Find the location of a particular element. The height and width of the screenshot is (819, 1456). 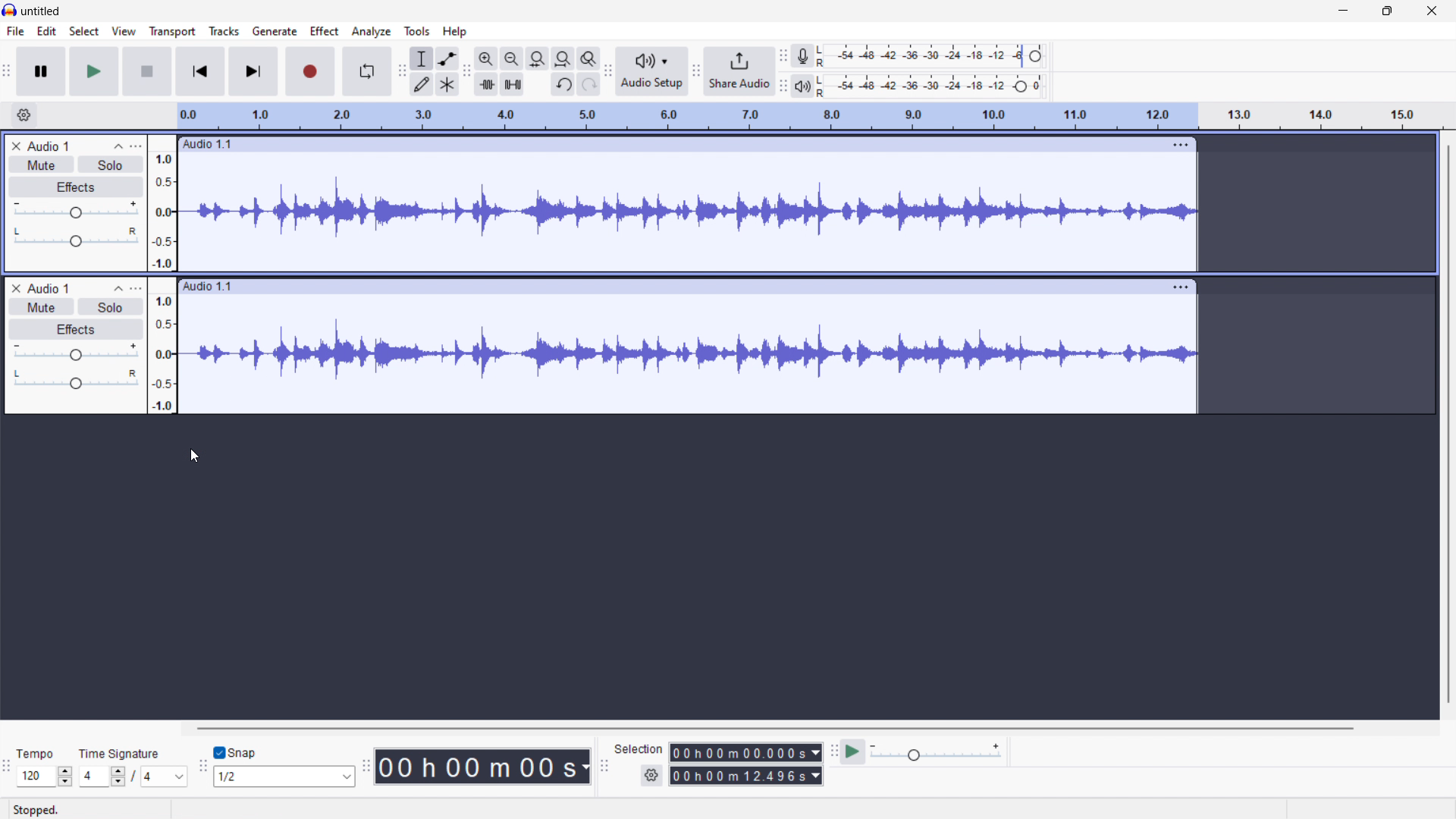

Audio 1.1 is located at coordinates (663, 145).